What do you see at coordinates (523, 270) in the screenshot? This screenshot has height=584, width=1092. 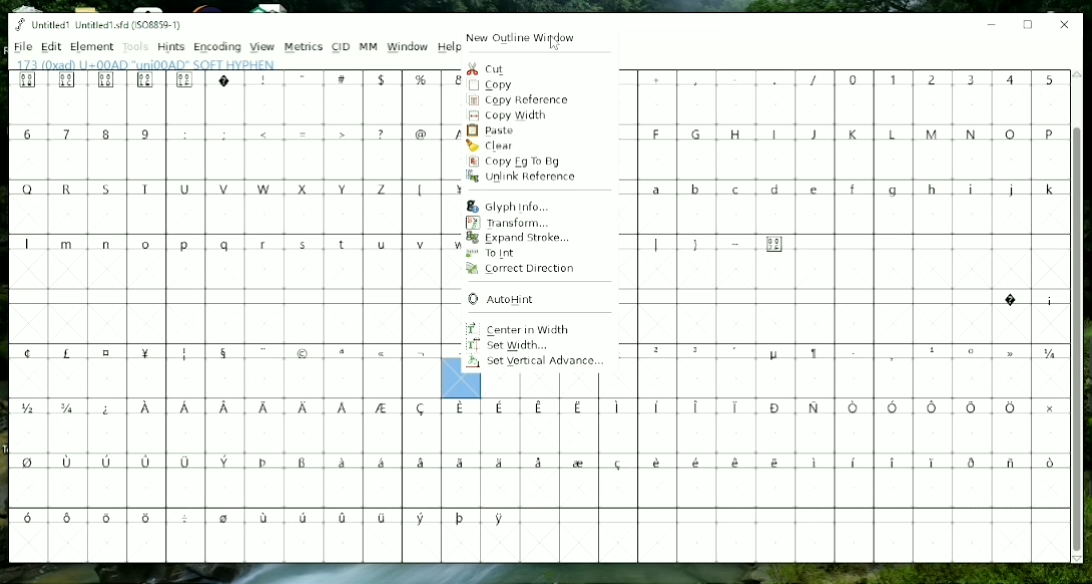 I see `Correct Direction` at bounding box center [523, 270].